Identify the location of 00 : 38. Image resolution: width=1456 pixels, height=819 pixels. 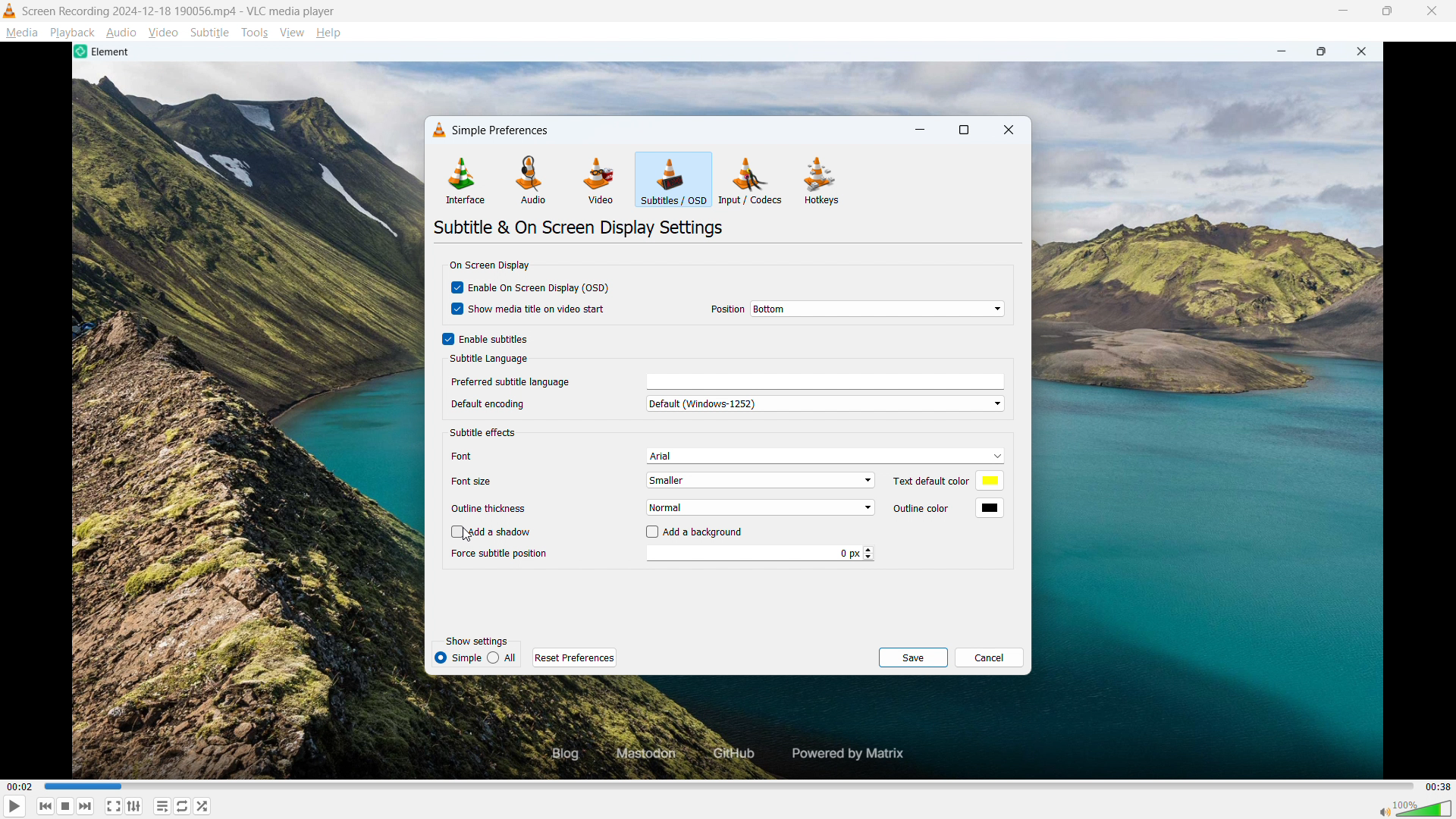
(1437, 784).